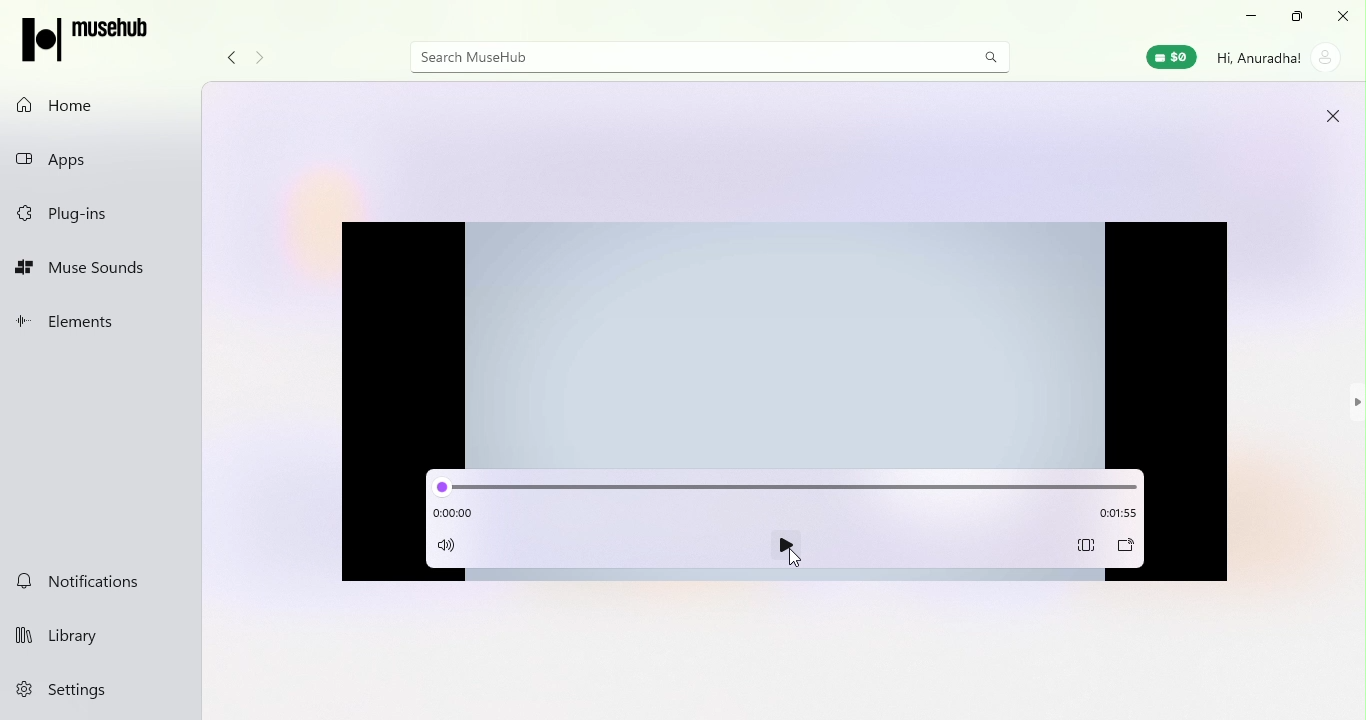  I want to click on Aspect ratio, so click(1085, 546).